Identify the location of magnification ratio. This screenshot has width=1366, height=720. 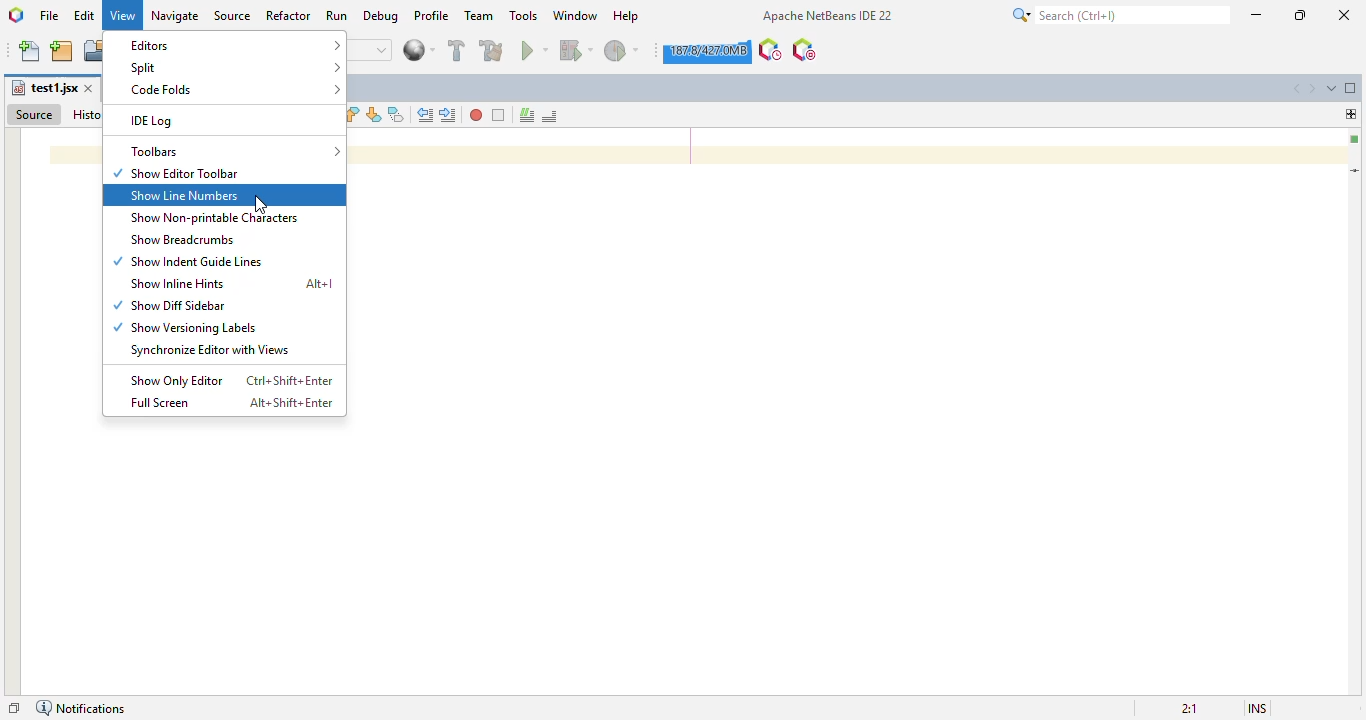
(1191, 709).